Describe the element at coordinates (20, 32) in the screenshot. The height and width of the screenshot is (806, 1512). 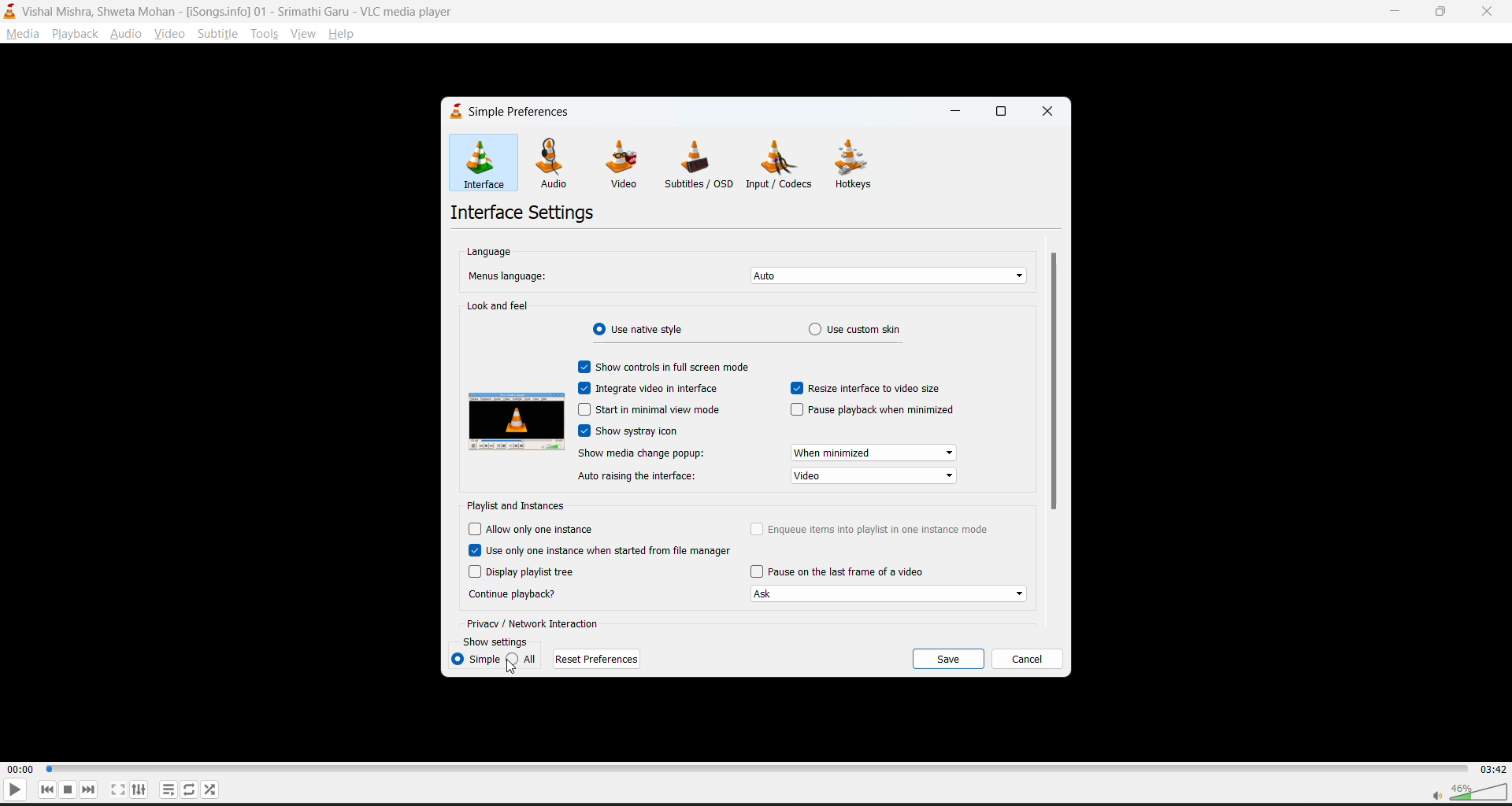
I see `media` at that location.